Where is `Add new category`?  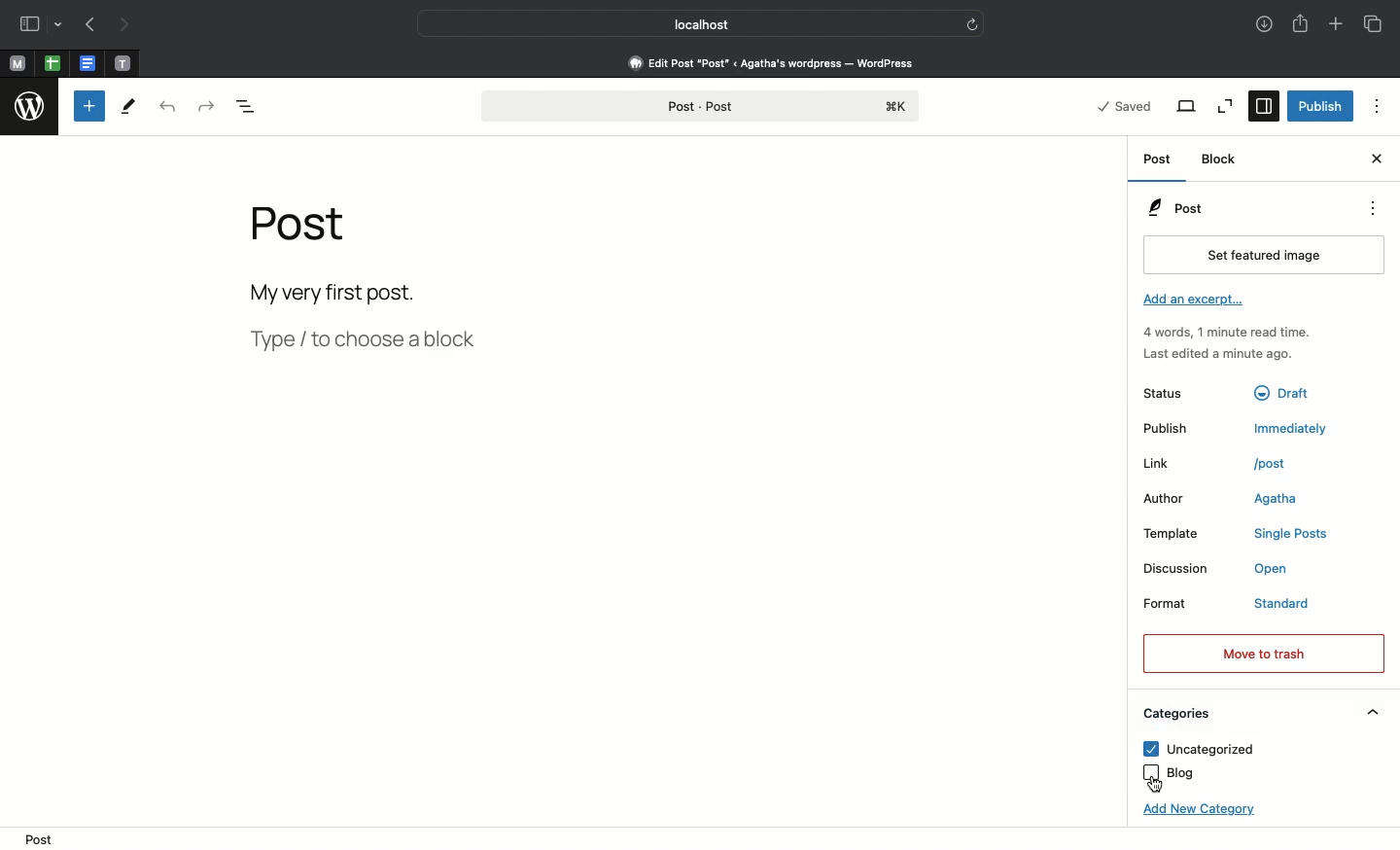 Add new category is located at coordinates (1194, 814).